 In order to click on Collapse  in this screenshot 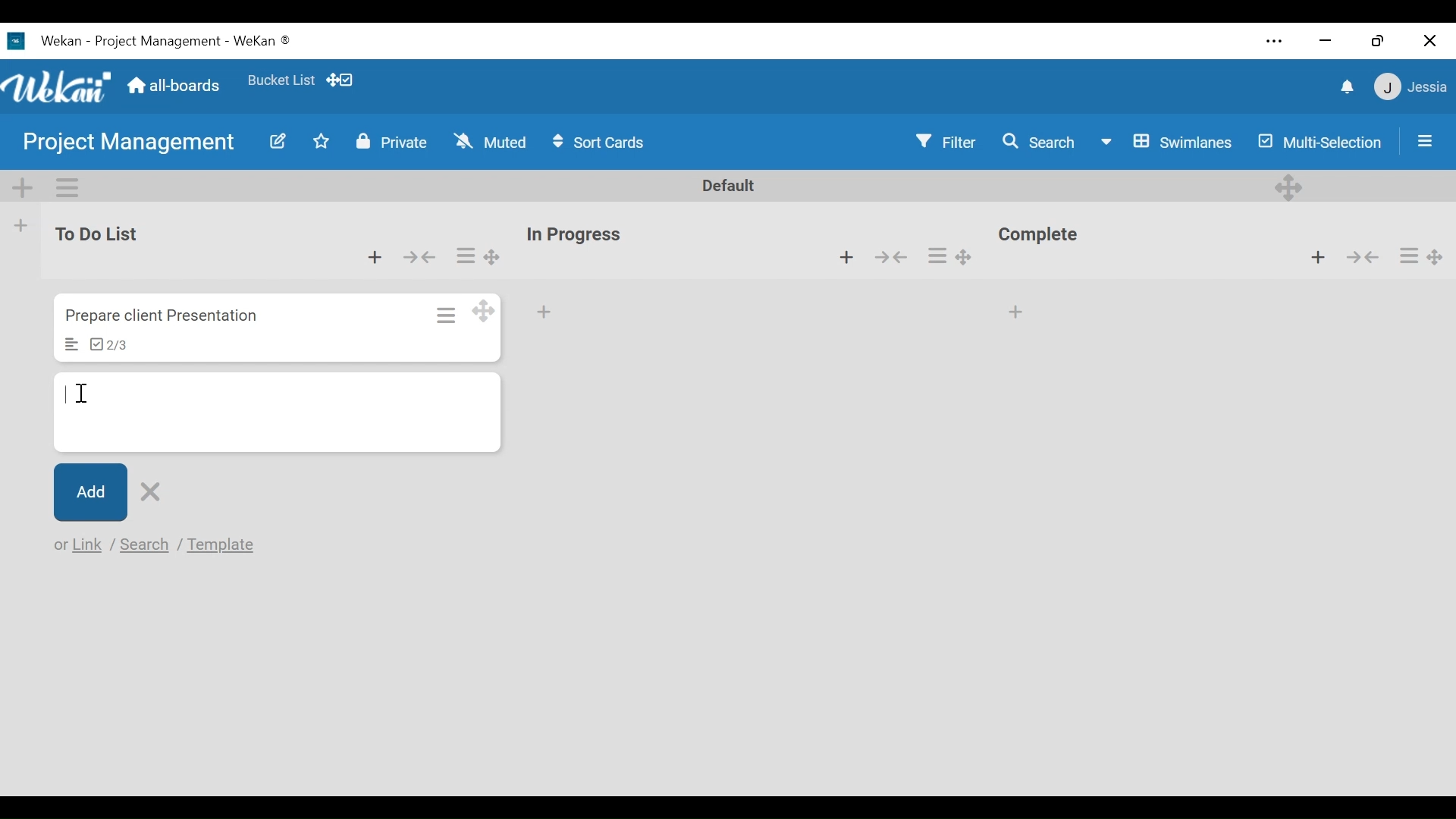, I will do `click(1362, 257)`.